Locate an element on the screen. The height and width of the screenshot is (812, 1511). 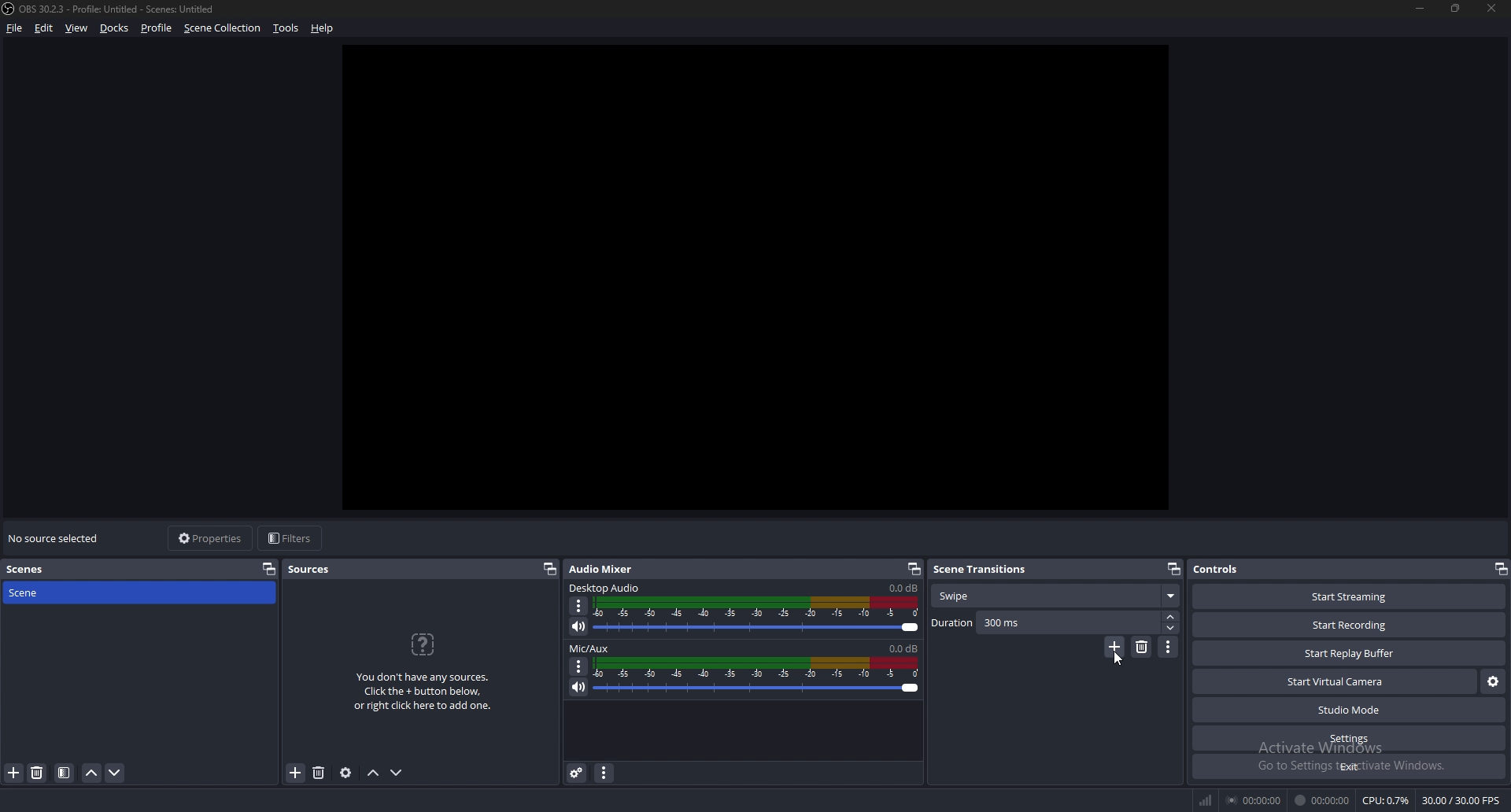
move up is located at coordinates (373, 773).